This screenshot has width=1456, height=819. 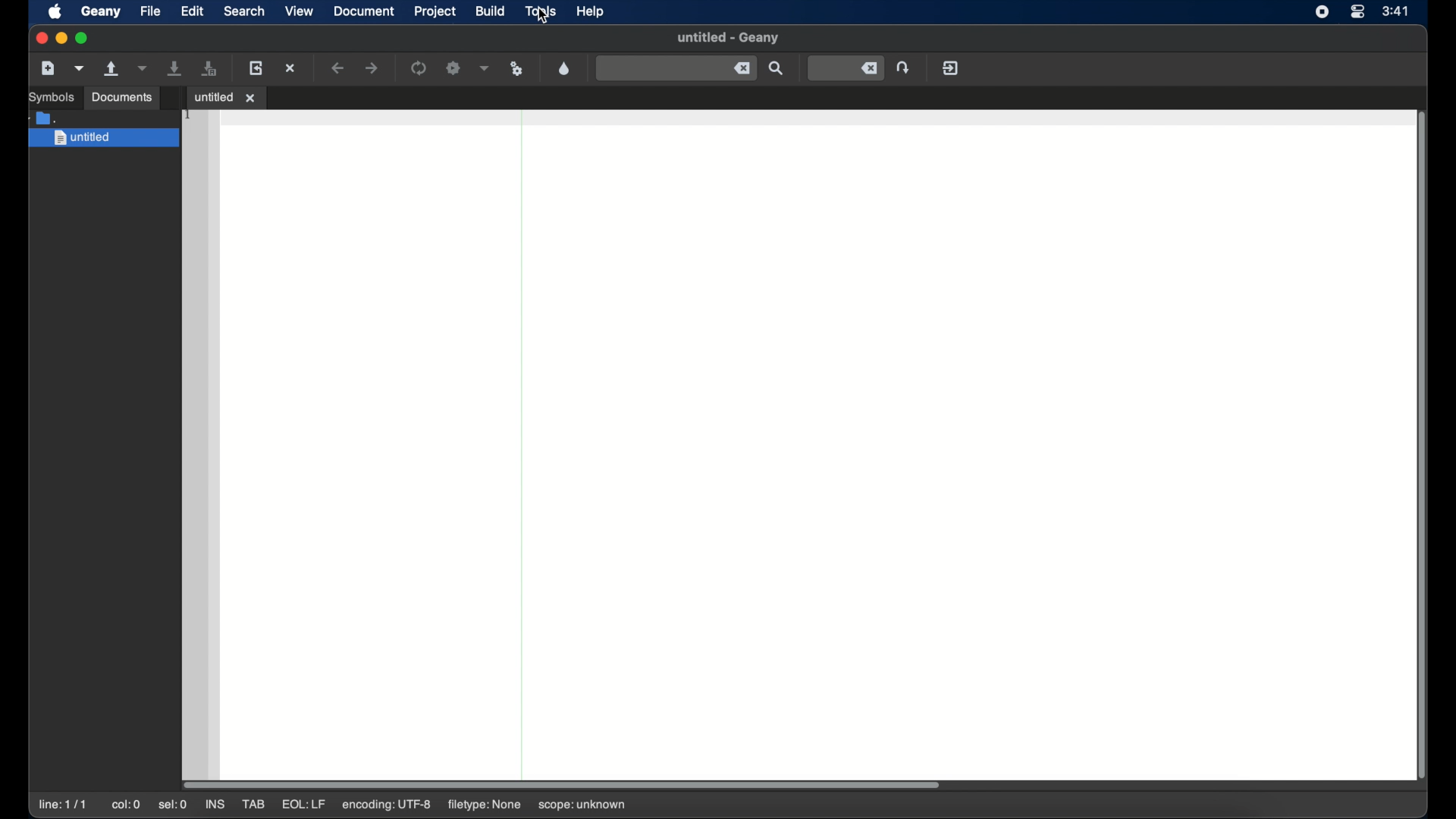 I want to click on build the current file, so click(x=453, y=69).